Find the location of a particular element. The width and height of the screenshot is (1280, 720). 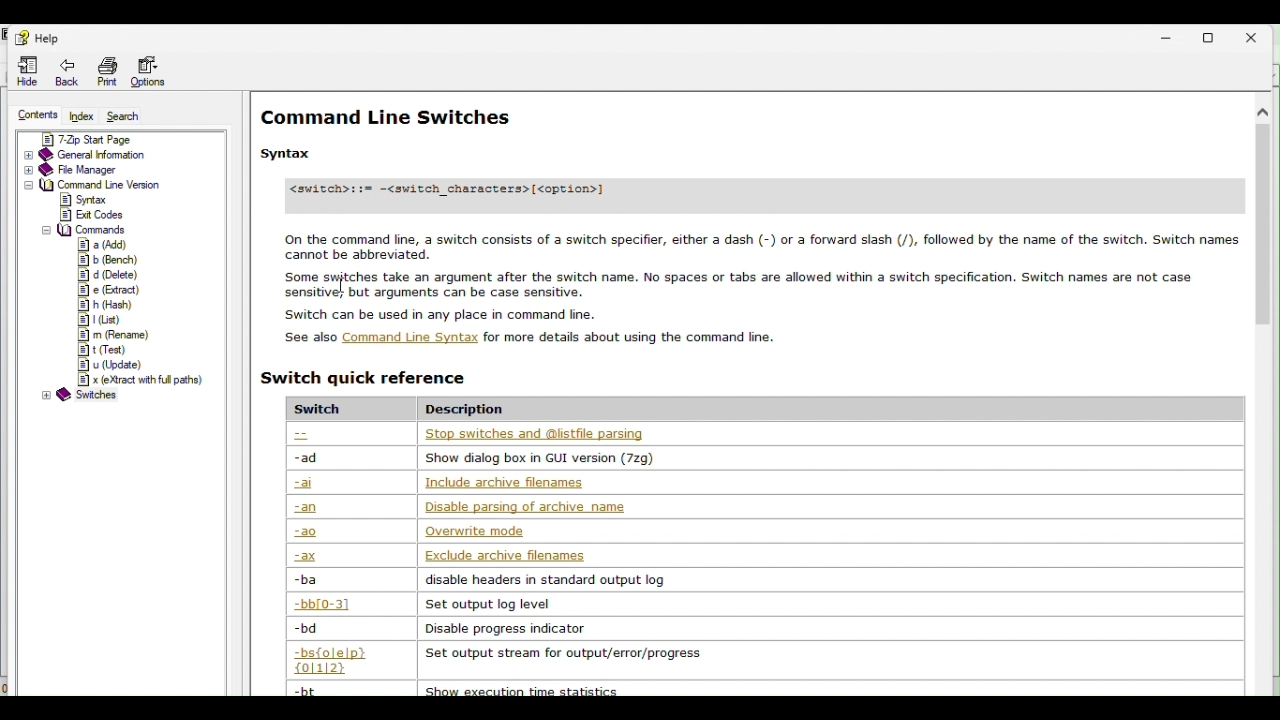

-bb (0-3) is located at coordinates (323, 604).